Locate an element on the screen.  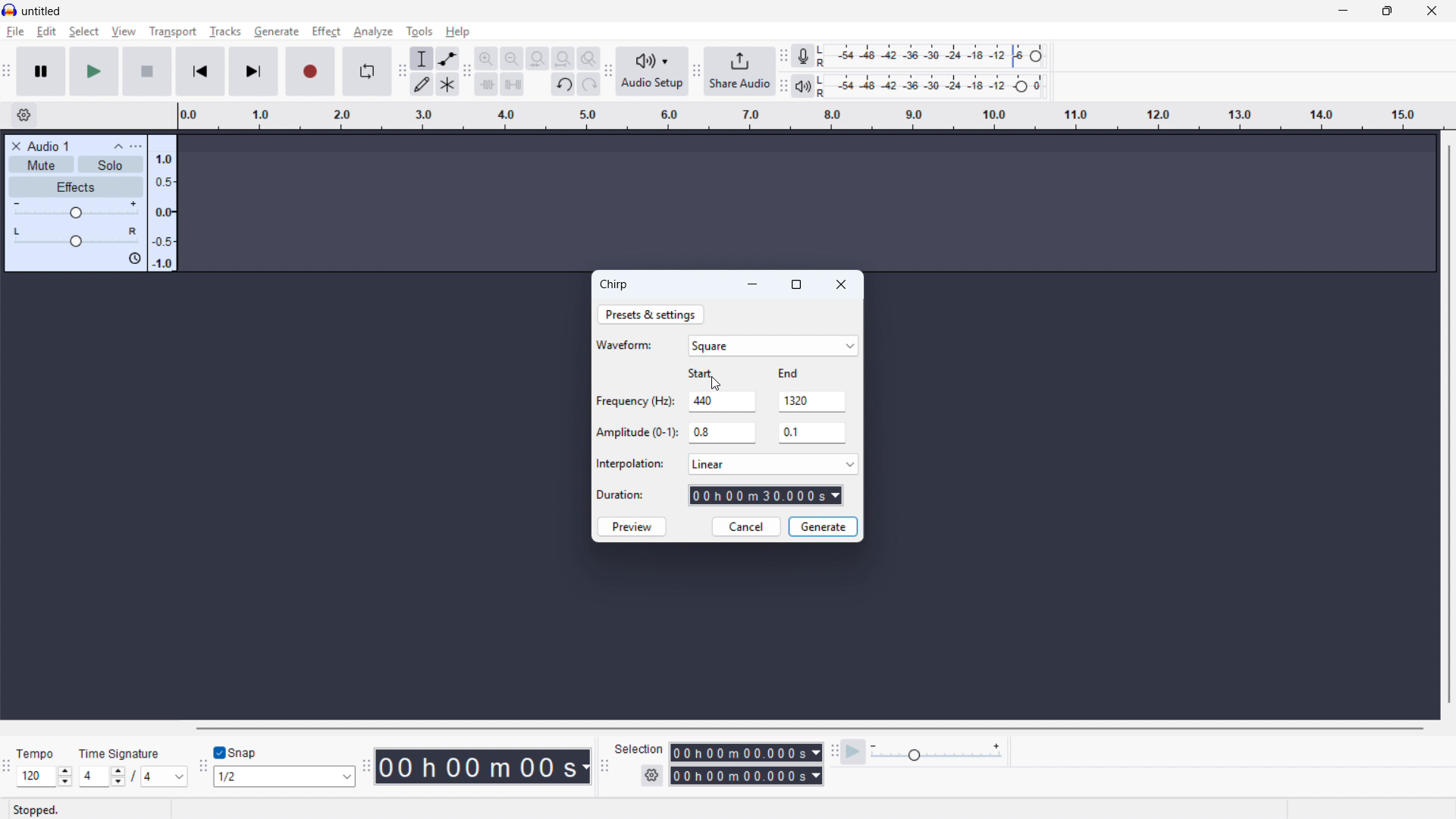
Status: stopped is located at coordinates (39, 809).